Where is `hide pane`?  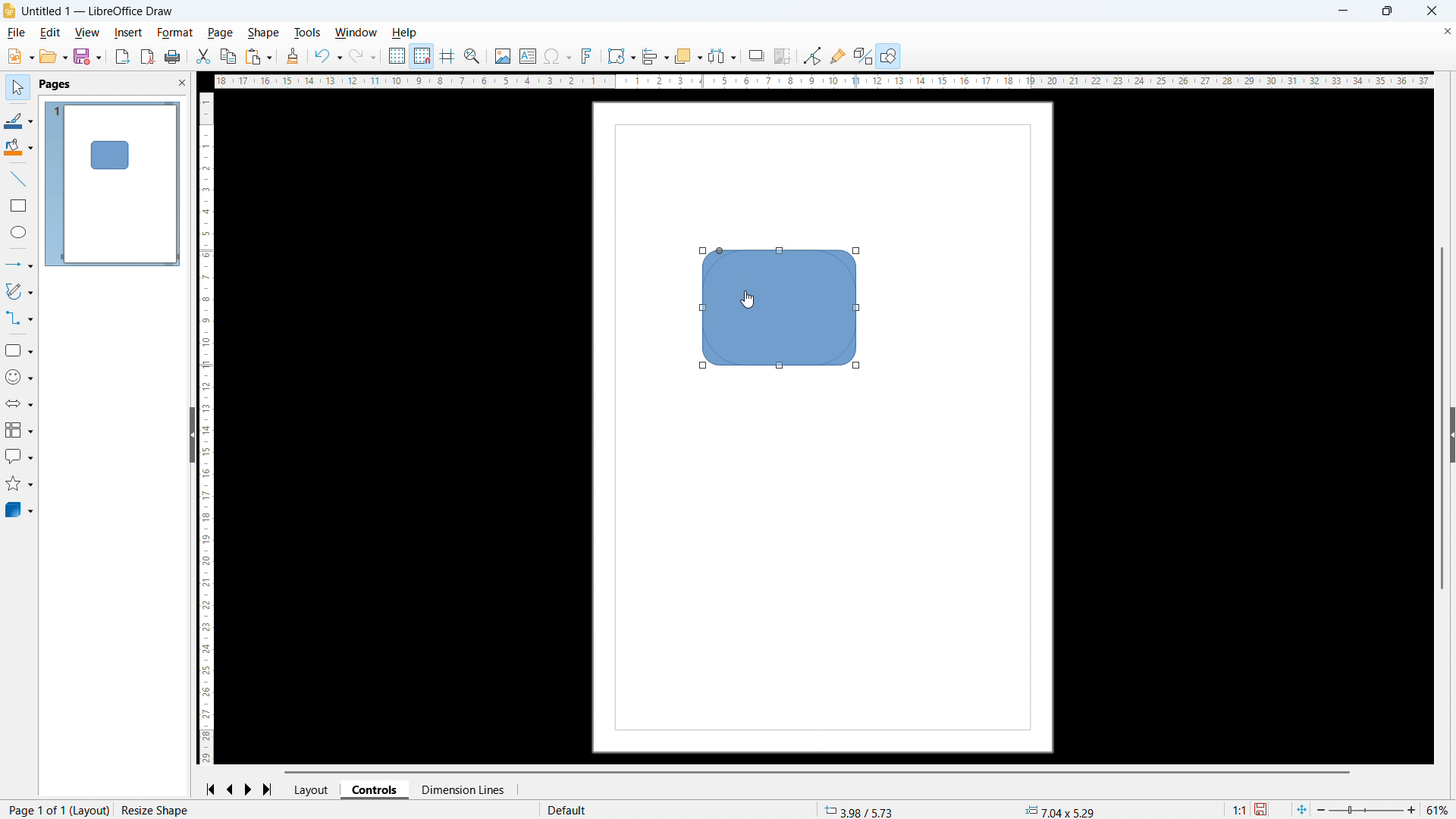 hide pane is located at coordinates (191, 435).